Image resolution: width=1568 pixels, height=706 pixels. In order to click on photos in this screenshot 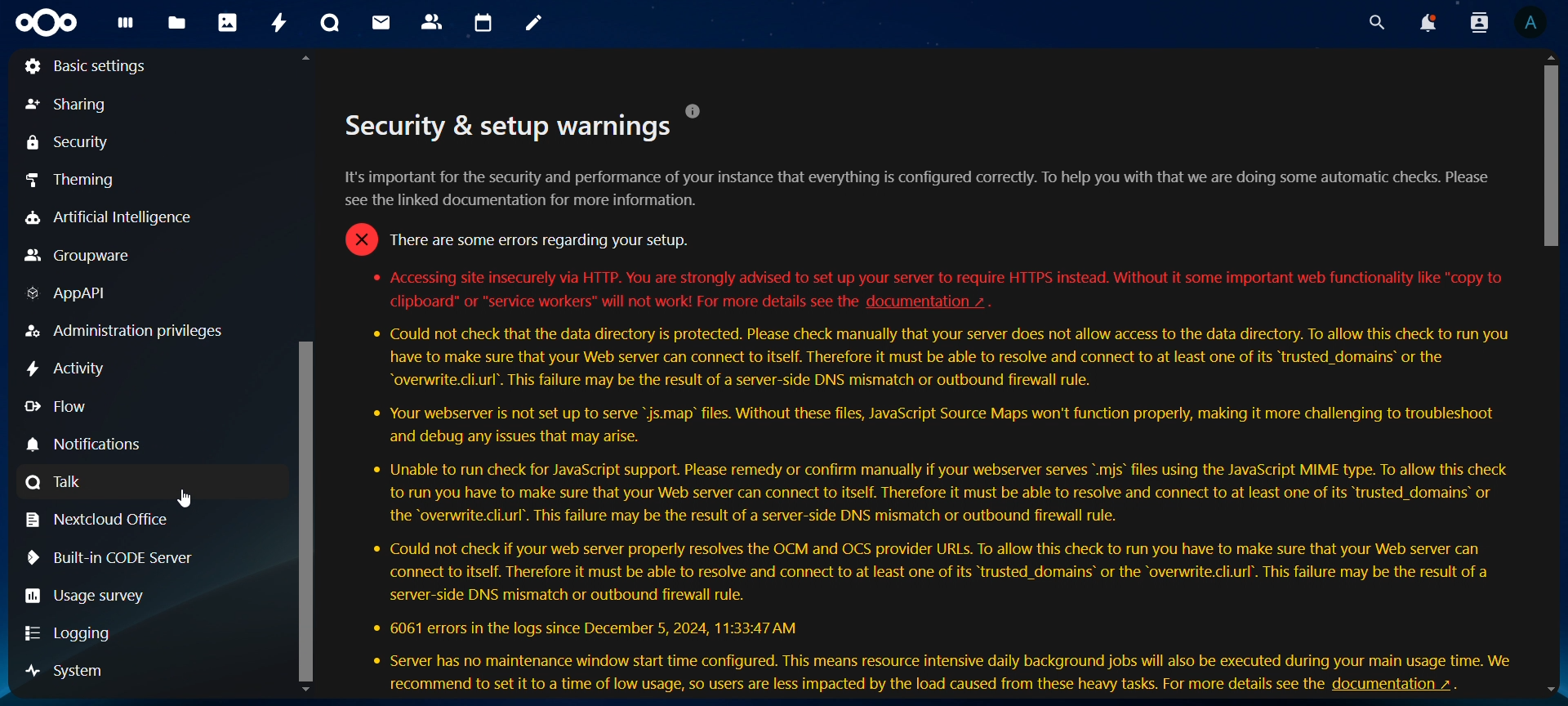, I will do `click(229, 21)`.